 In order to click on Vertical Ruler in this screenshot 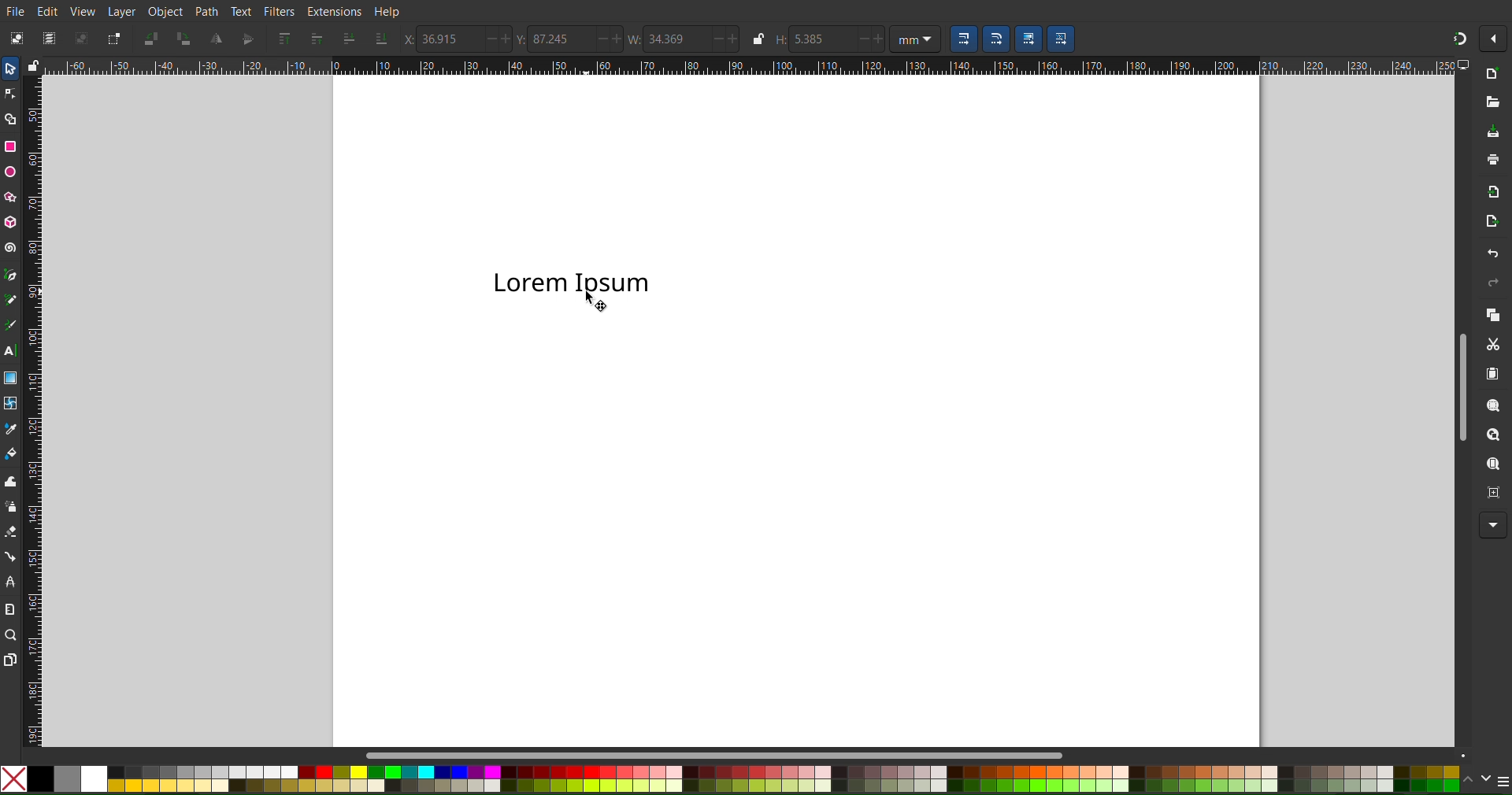, I will do `click(31, 401)`.